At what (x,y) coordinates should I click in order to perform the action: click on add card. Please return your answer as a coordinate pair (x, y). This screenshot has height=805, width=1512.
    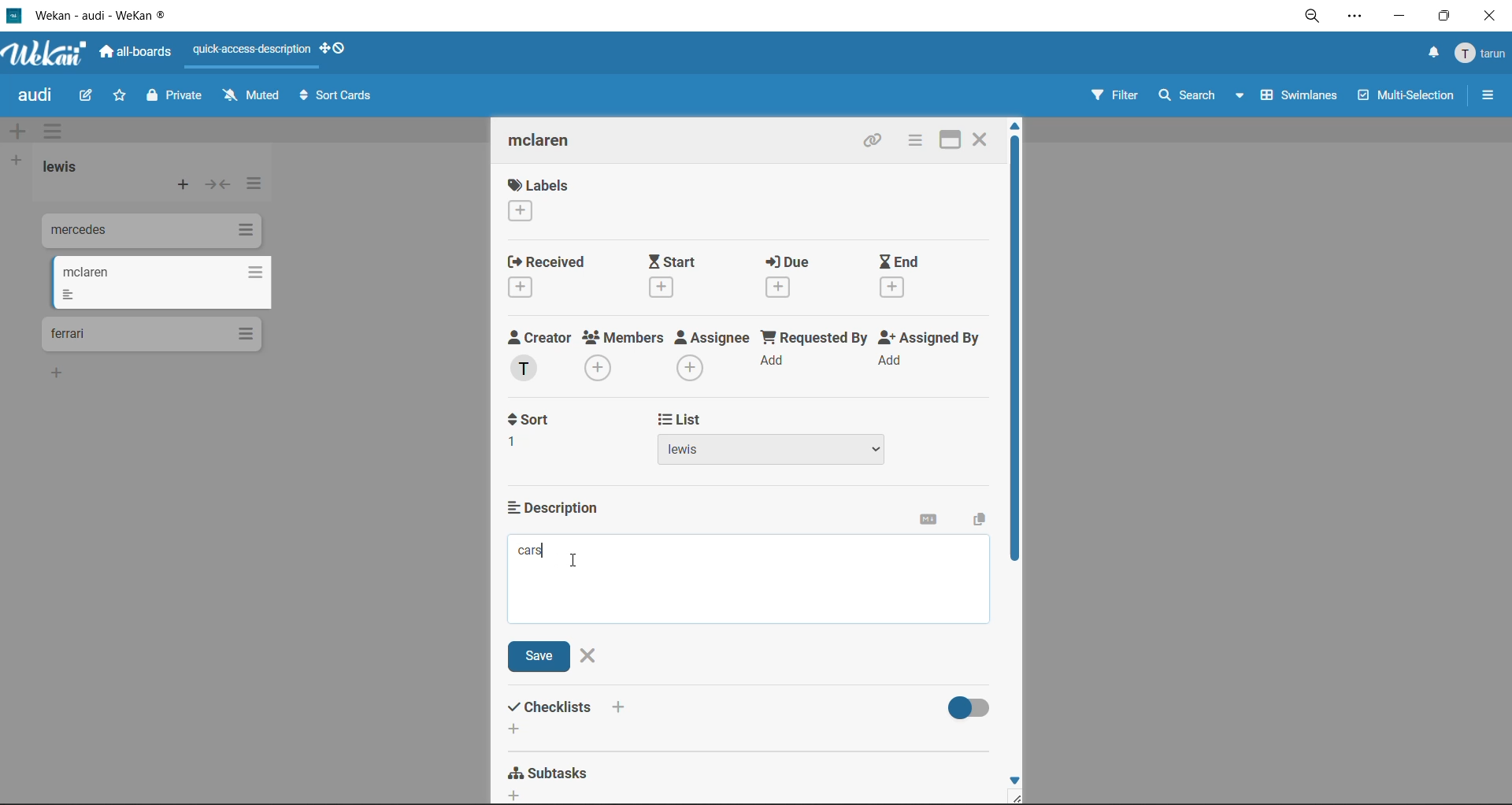
    Looking at the image, I should click on (184, 187).